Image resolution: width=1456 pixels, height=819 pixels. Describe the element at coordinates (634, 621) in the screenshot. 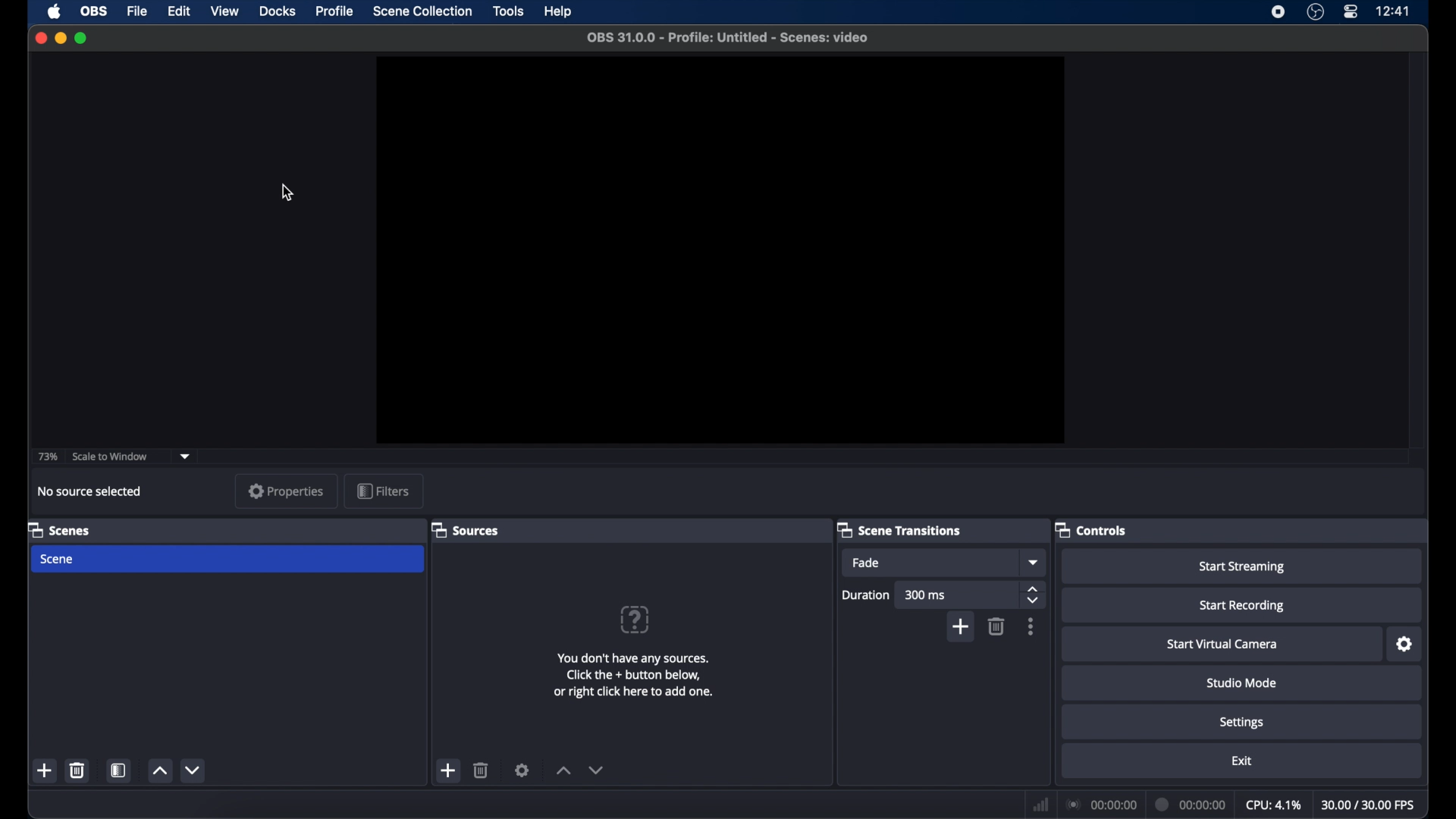

I see `question mark icon` at that location.